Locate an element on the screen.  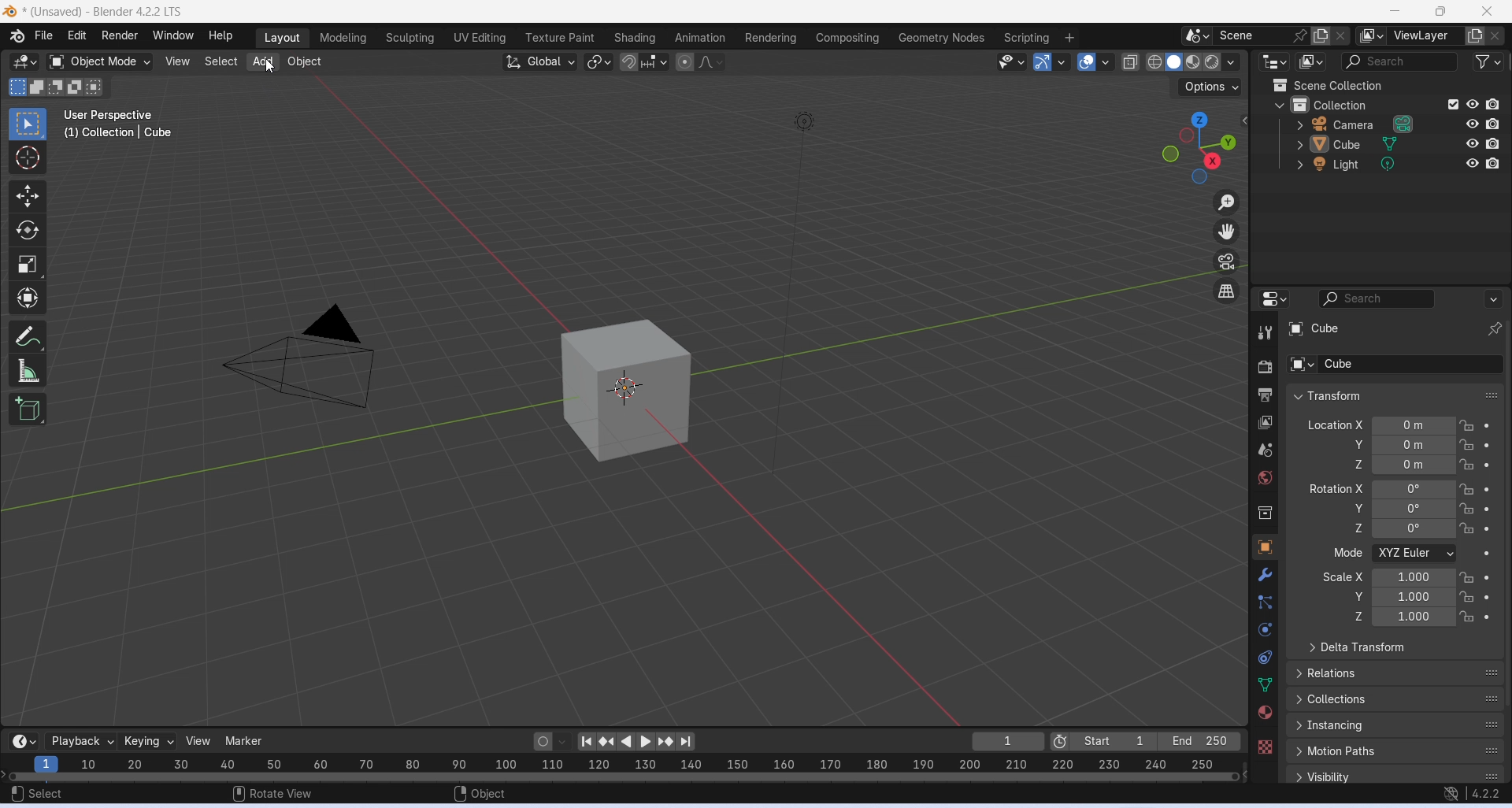
lock location is located at coordinates (1466, 617).